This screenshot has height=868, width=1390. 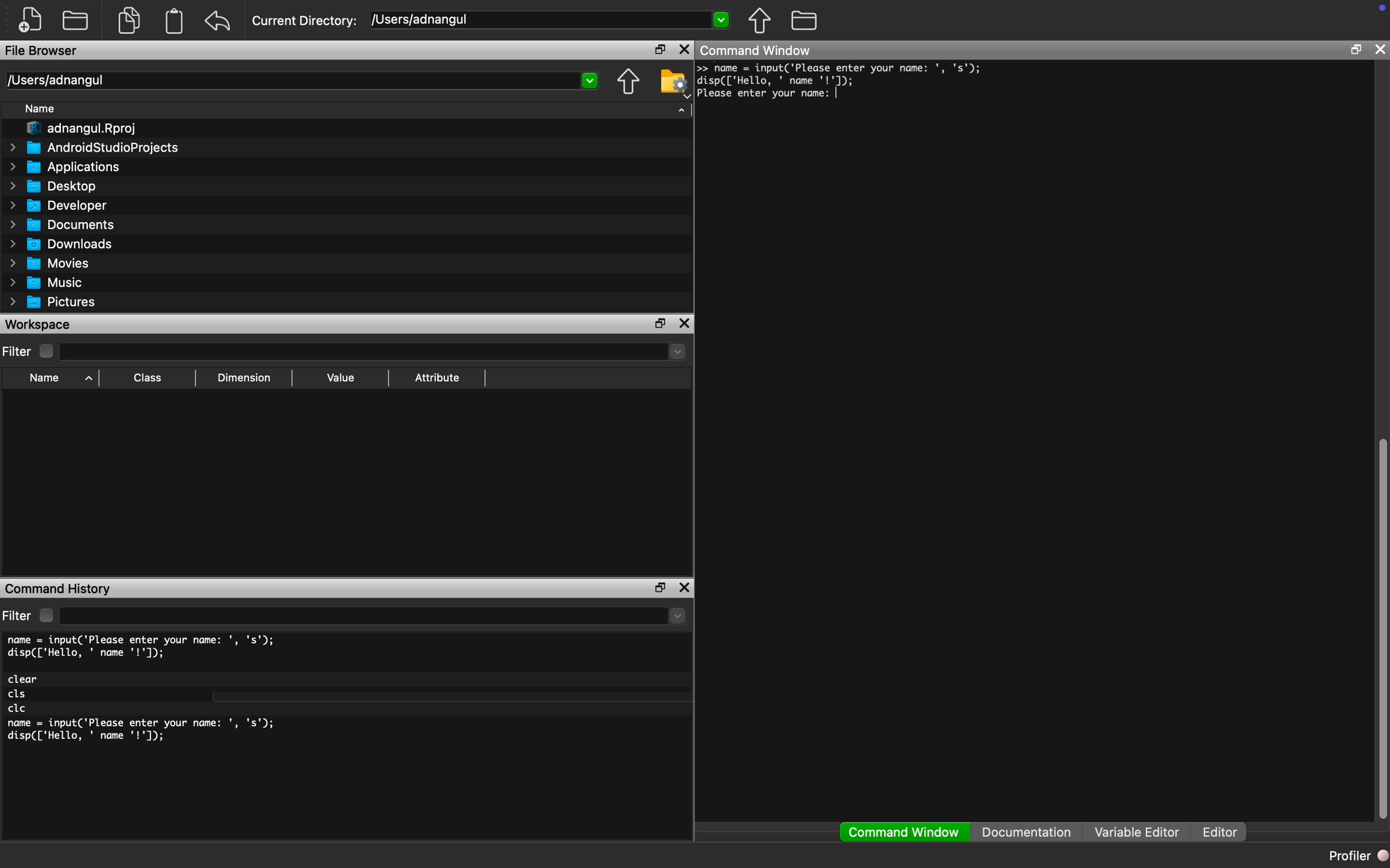 I want to click on Name , so click(x=58, y=379).